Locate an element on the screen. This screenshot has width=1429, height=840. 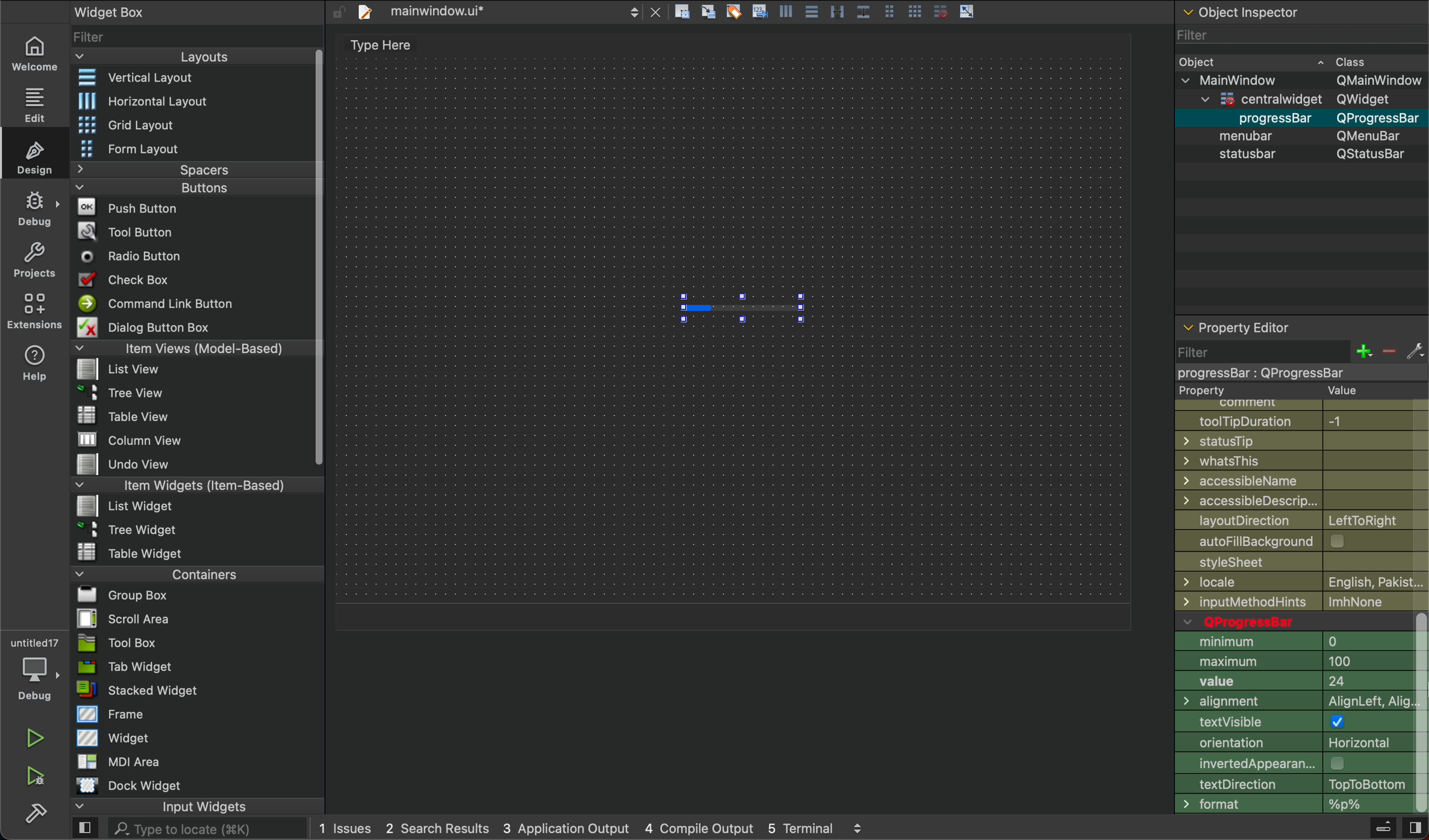
search here is located at coordinates (206, 829).